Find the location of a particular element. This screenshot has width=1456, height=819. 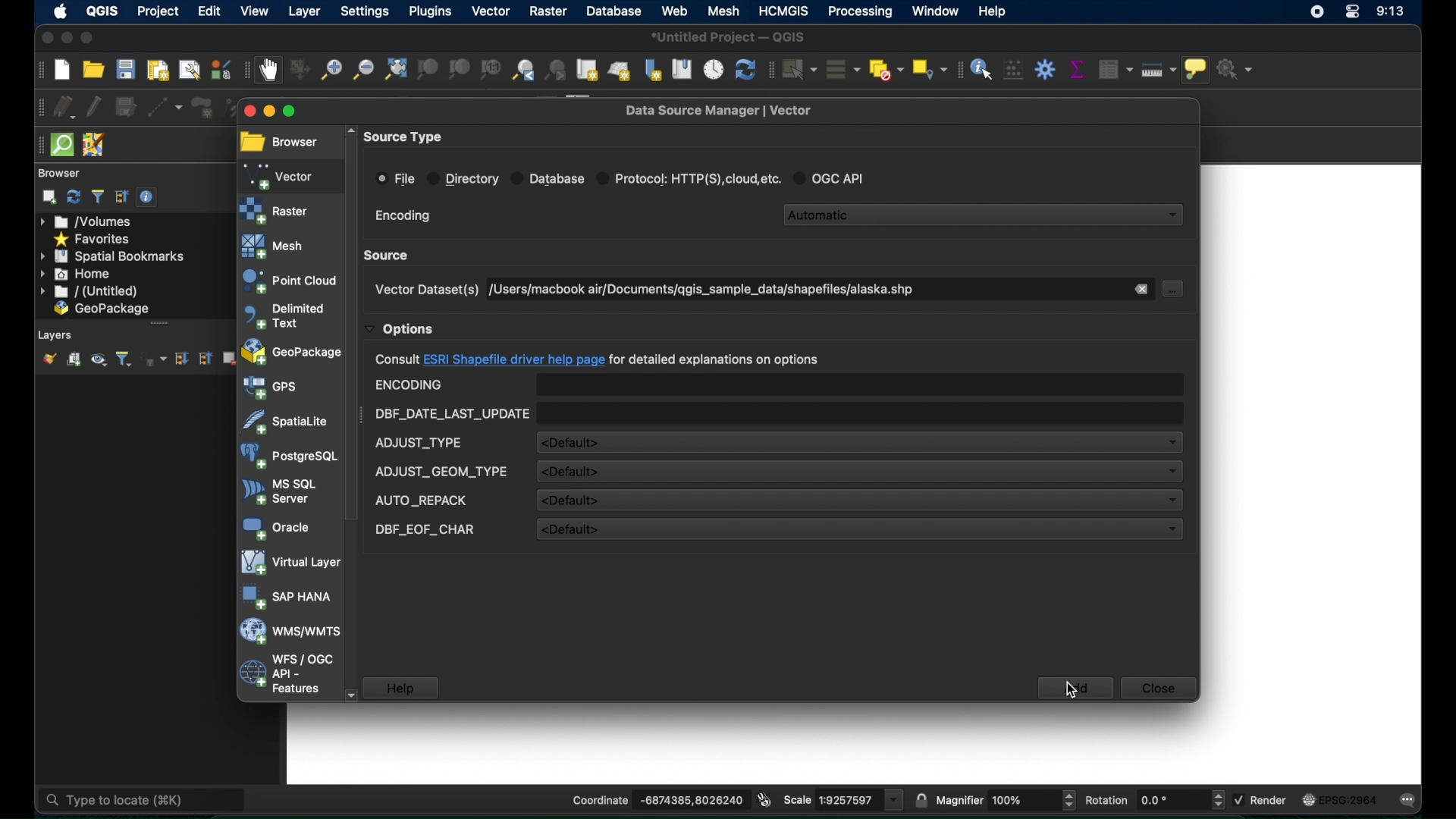

geopackage is located at coordinates (292, 353).